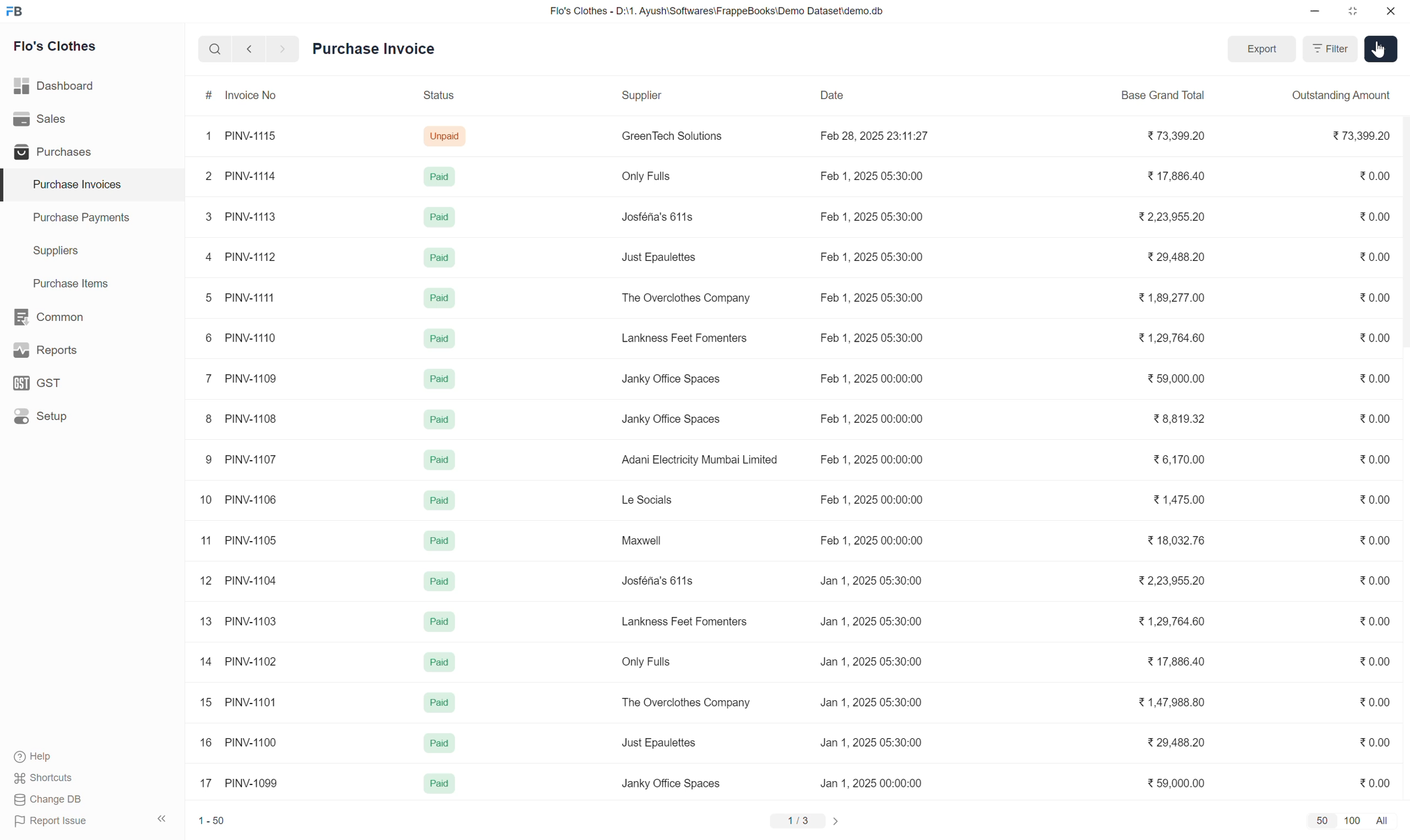 The height and width of the screenshot is (840, 1410). What do you see at coordinates (251, 662) in the screenshot?
I see `PINV-1102` at bounding box center [251, 662].